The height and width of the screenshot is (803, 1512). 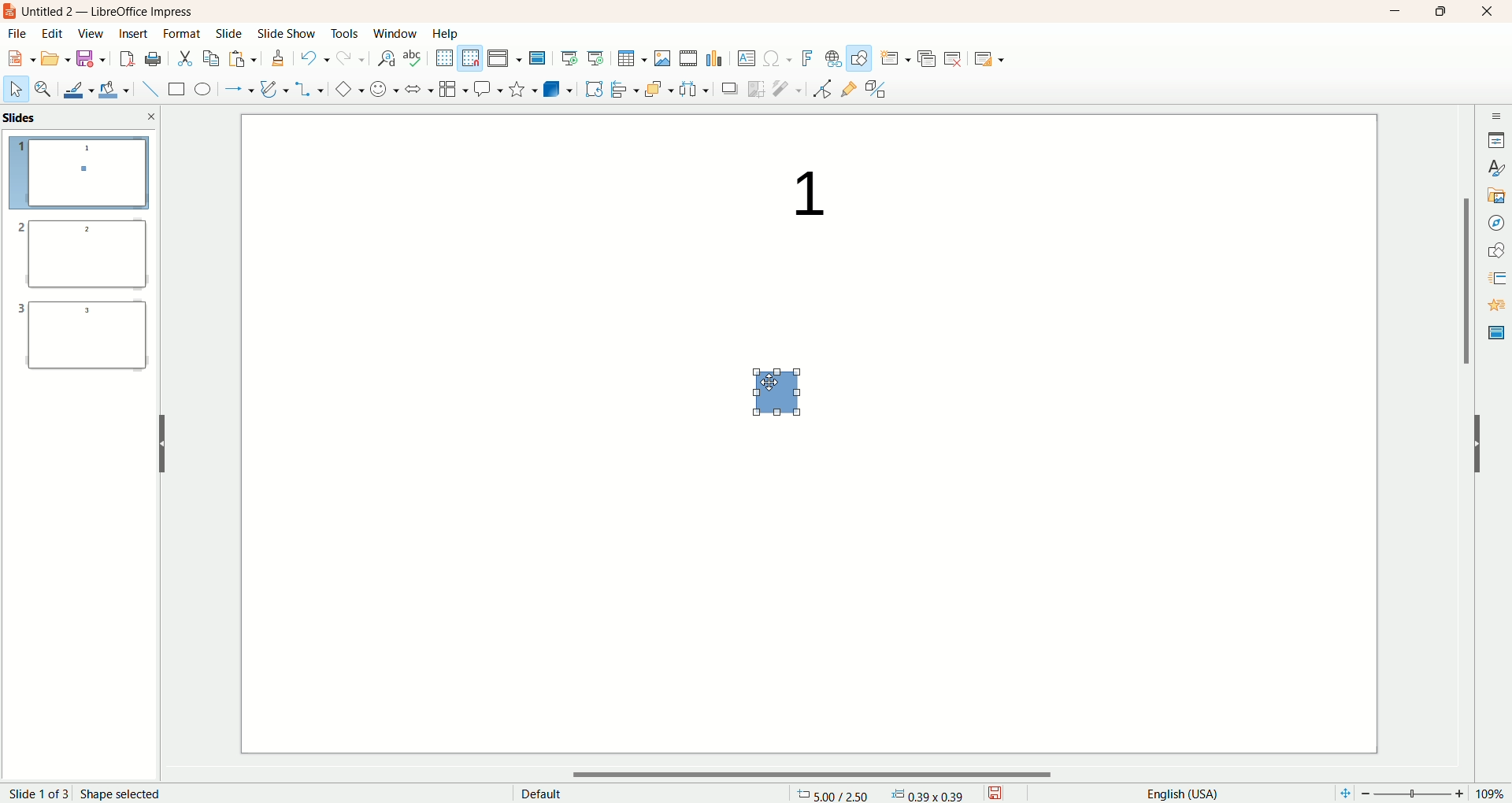 I want to click on insert chart, so click(x=716, y=59).